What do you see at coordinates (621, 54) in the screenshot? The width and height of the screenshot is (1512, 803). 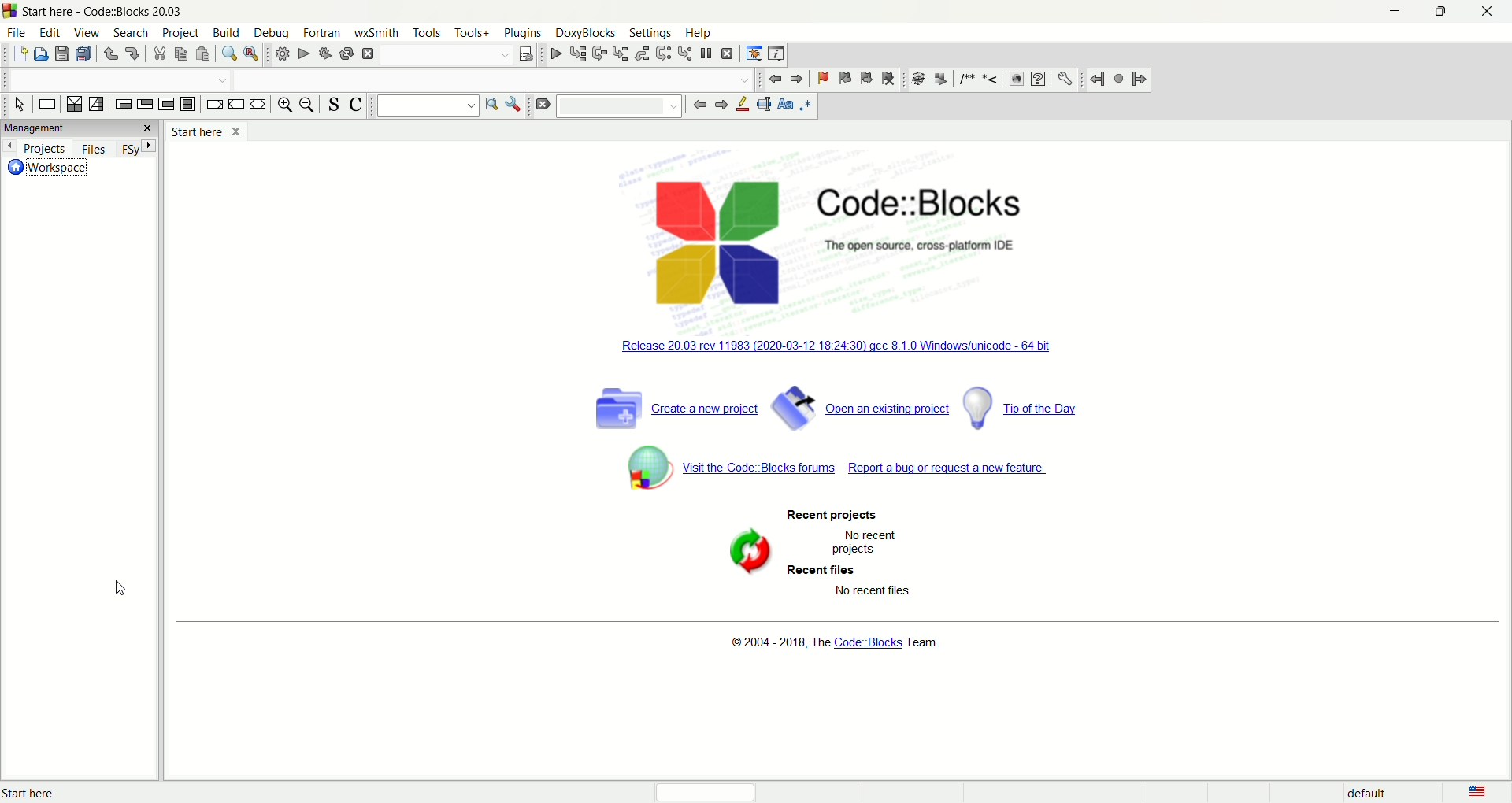 I see `step into` at bounding box center [621, 54].